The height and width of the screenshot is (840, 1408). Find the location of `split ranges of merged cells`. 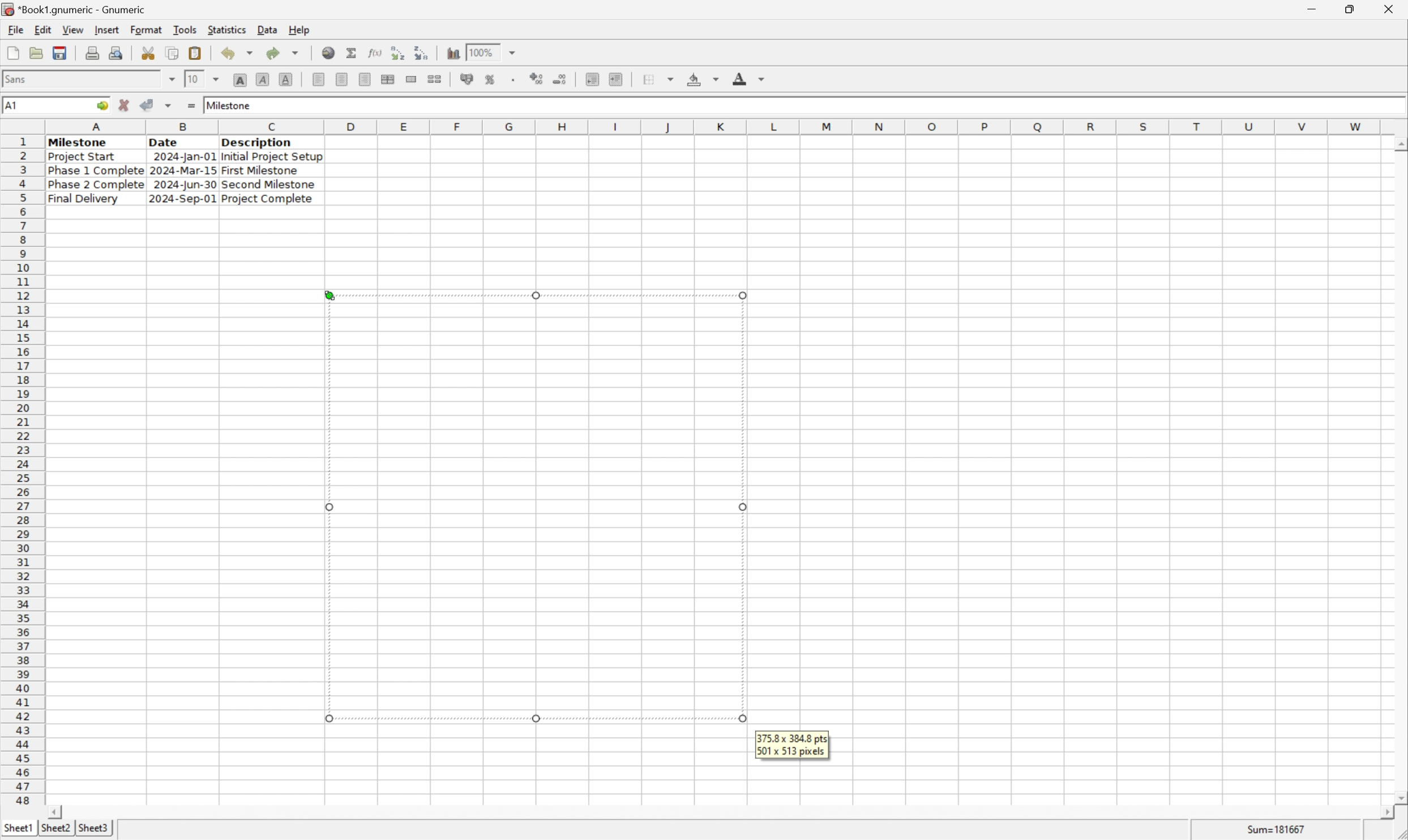

split ranges of merged cells is located at coordinates (435, 79).